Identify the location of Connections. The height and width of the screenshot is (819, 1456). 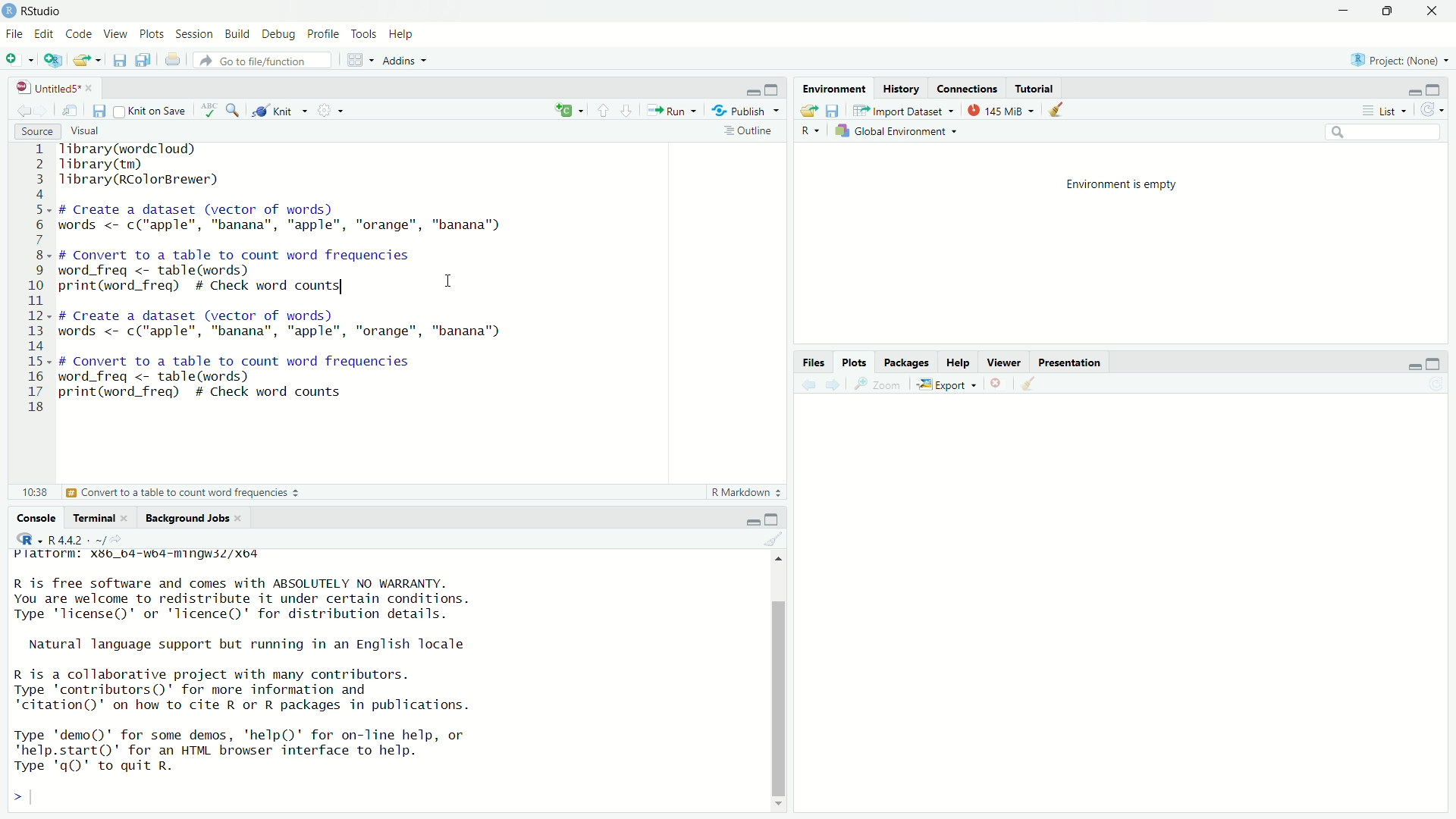
(969, 89).